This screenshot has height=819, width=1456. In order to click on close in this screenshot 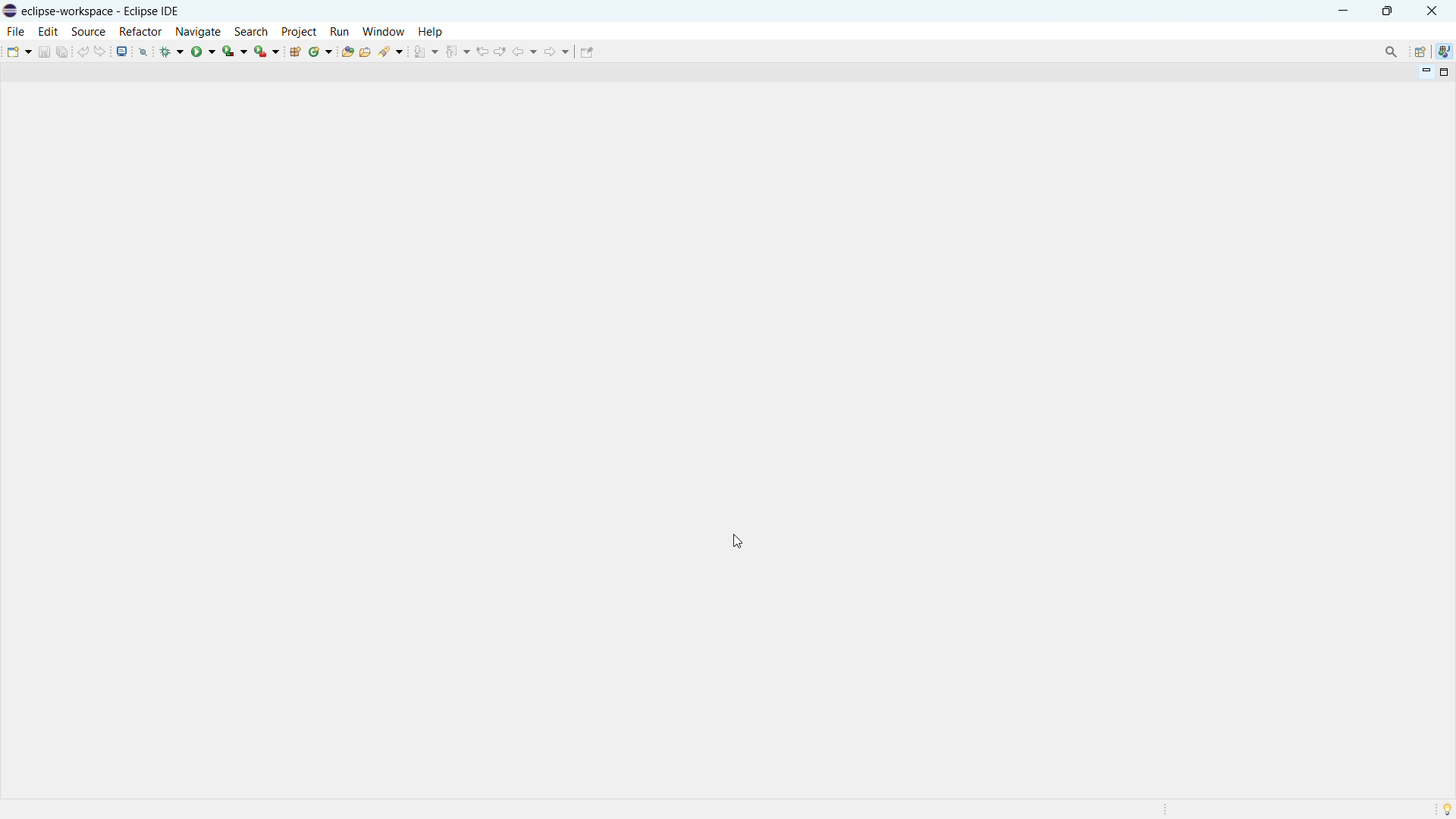, I will do `click(1431, 11)`.